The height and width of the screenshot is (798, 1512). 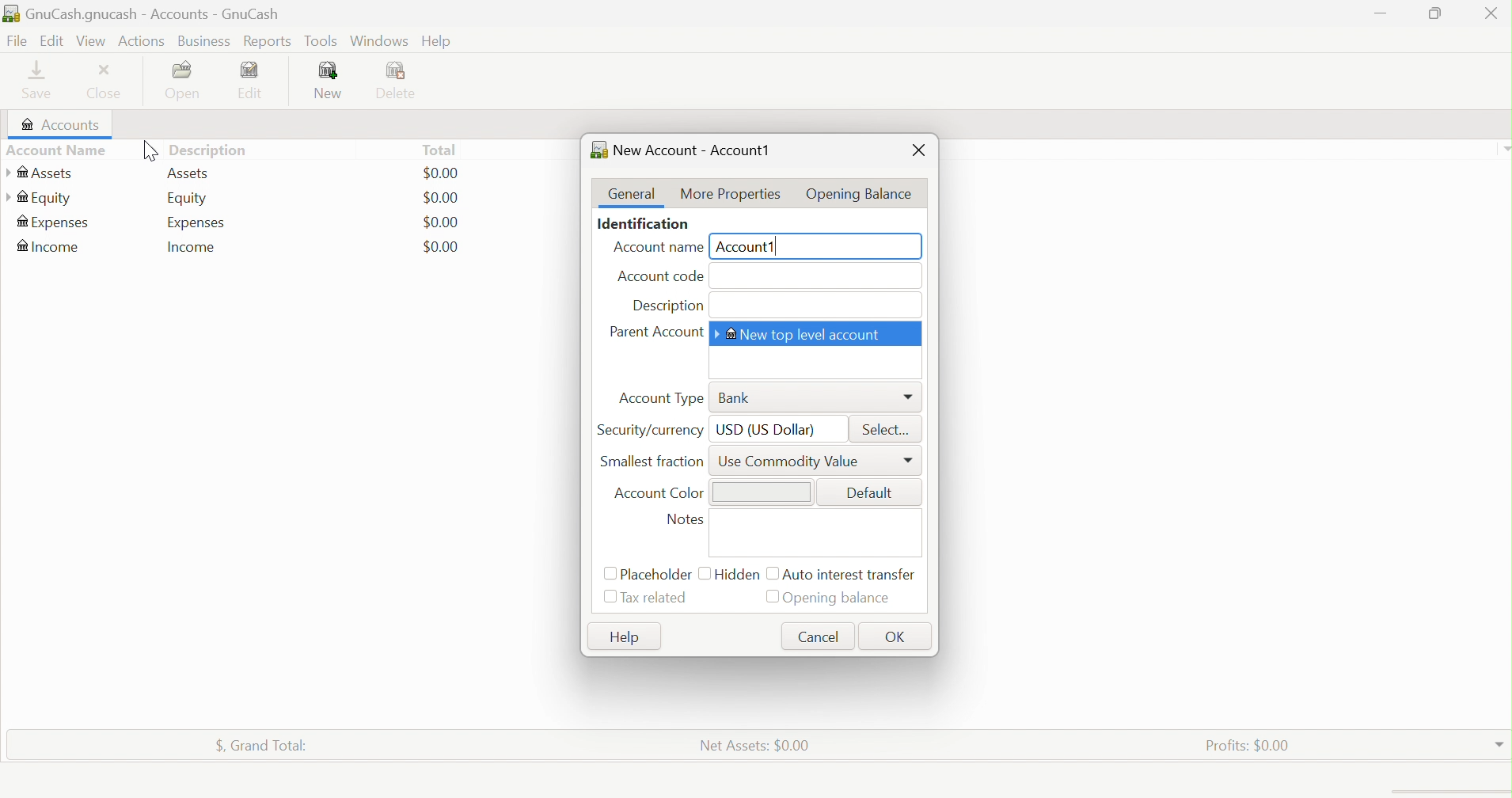 I want to click on Use commodity value, so click(x=793, y=461).